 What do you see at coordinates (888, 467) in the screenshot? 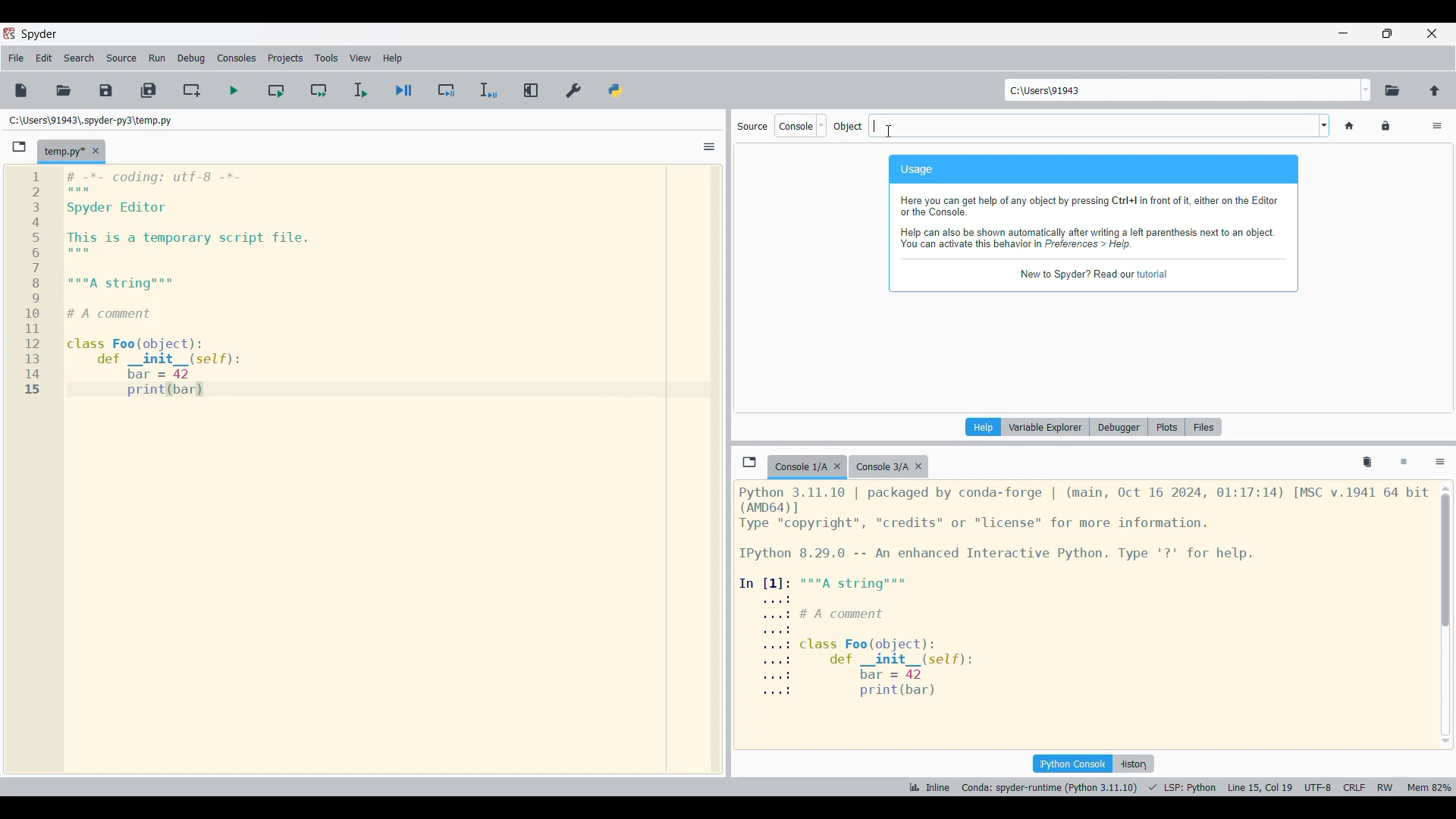
I see `Other tab` at bounding box center [888, 467].